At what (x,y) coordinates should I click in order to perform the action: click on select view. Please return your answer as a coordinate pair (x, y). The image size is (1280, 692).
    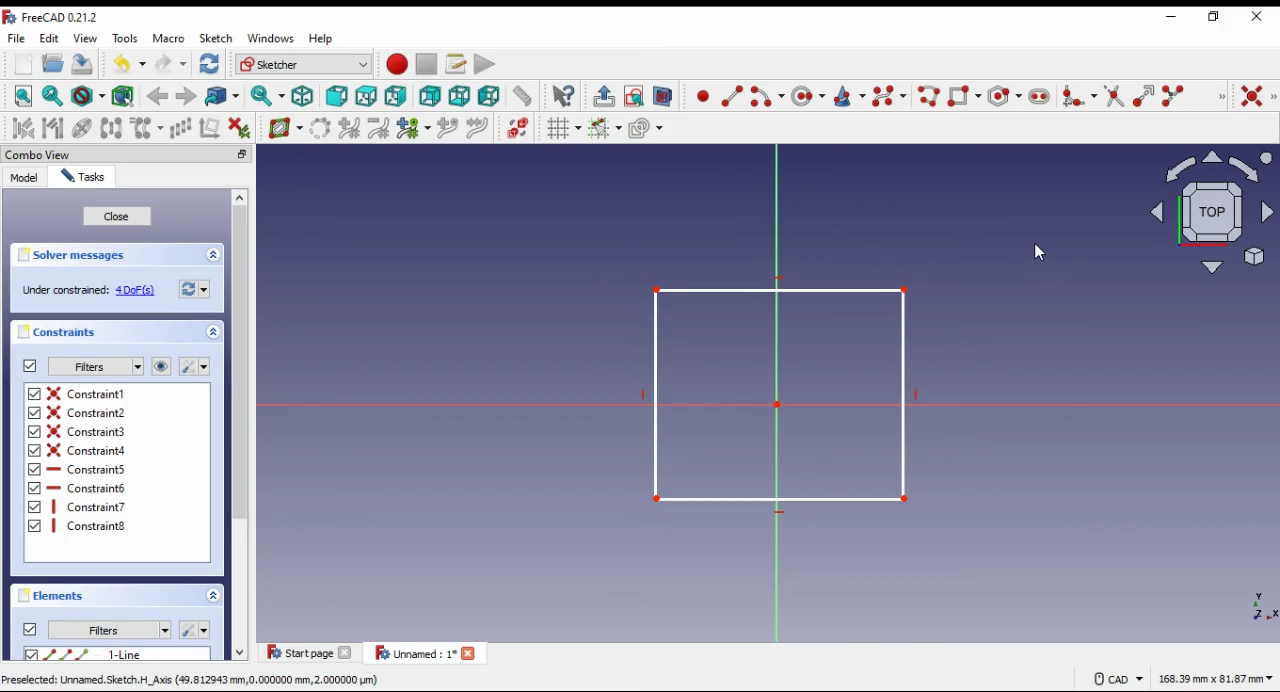
    Looking at the image, I should click on (1208, 212).